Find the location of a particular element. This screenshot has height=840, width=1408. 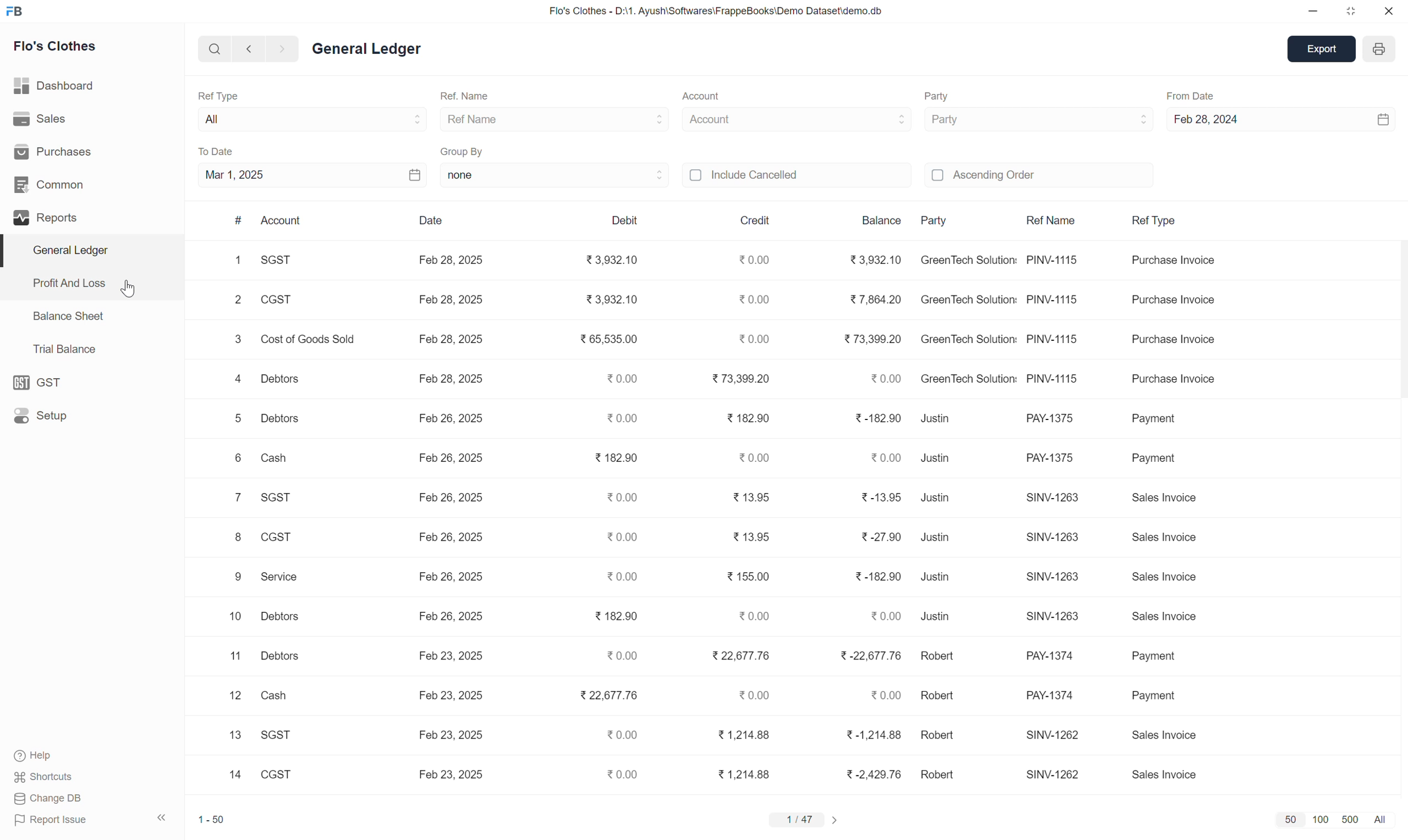

close is located at coordinates (1389, 11).